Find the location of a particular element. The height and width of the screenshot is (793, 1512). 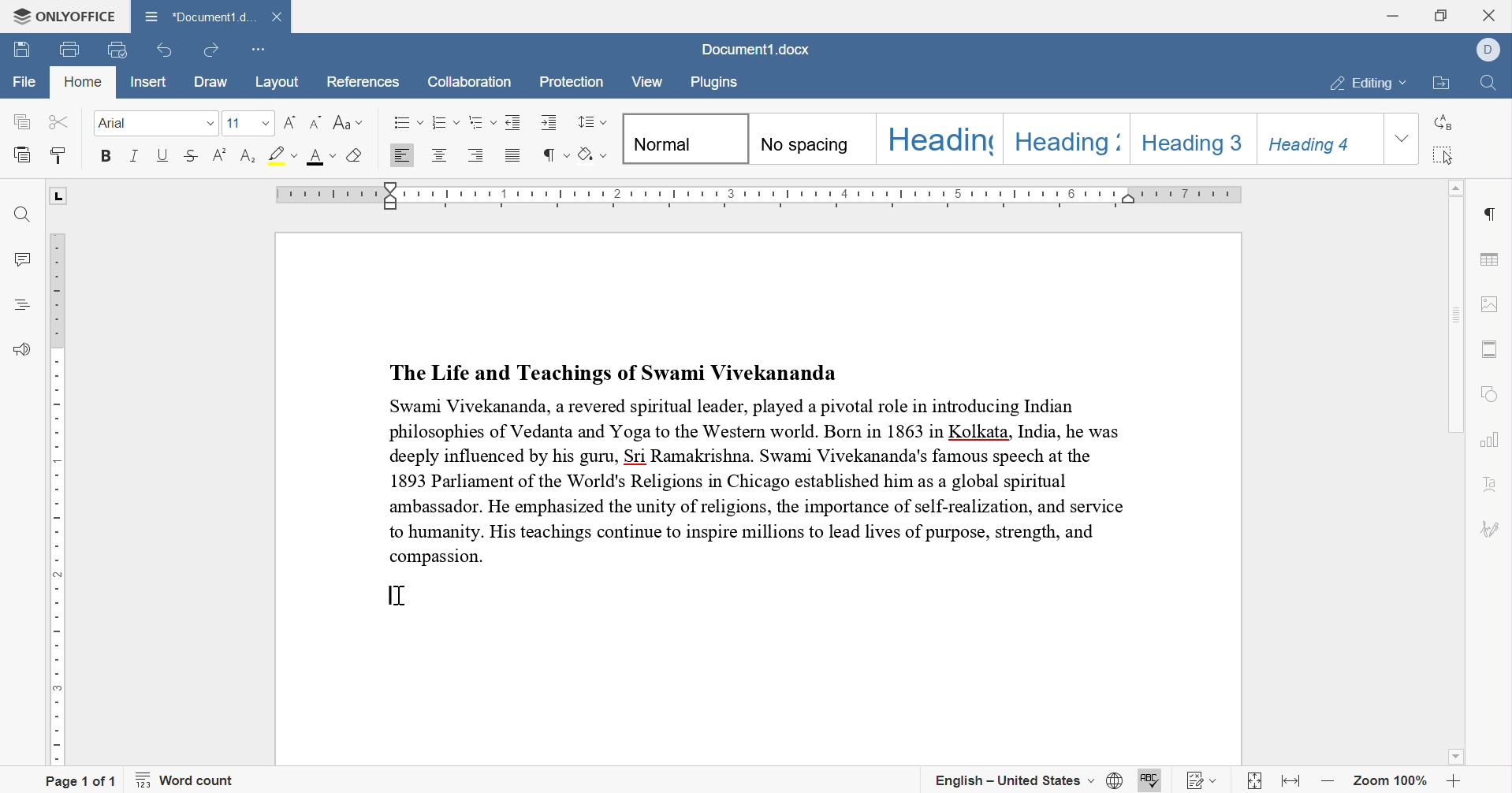

increment font size is located at coordinates (289, 123).